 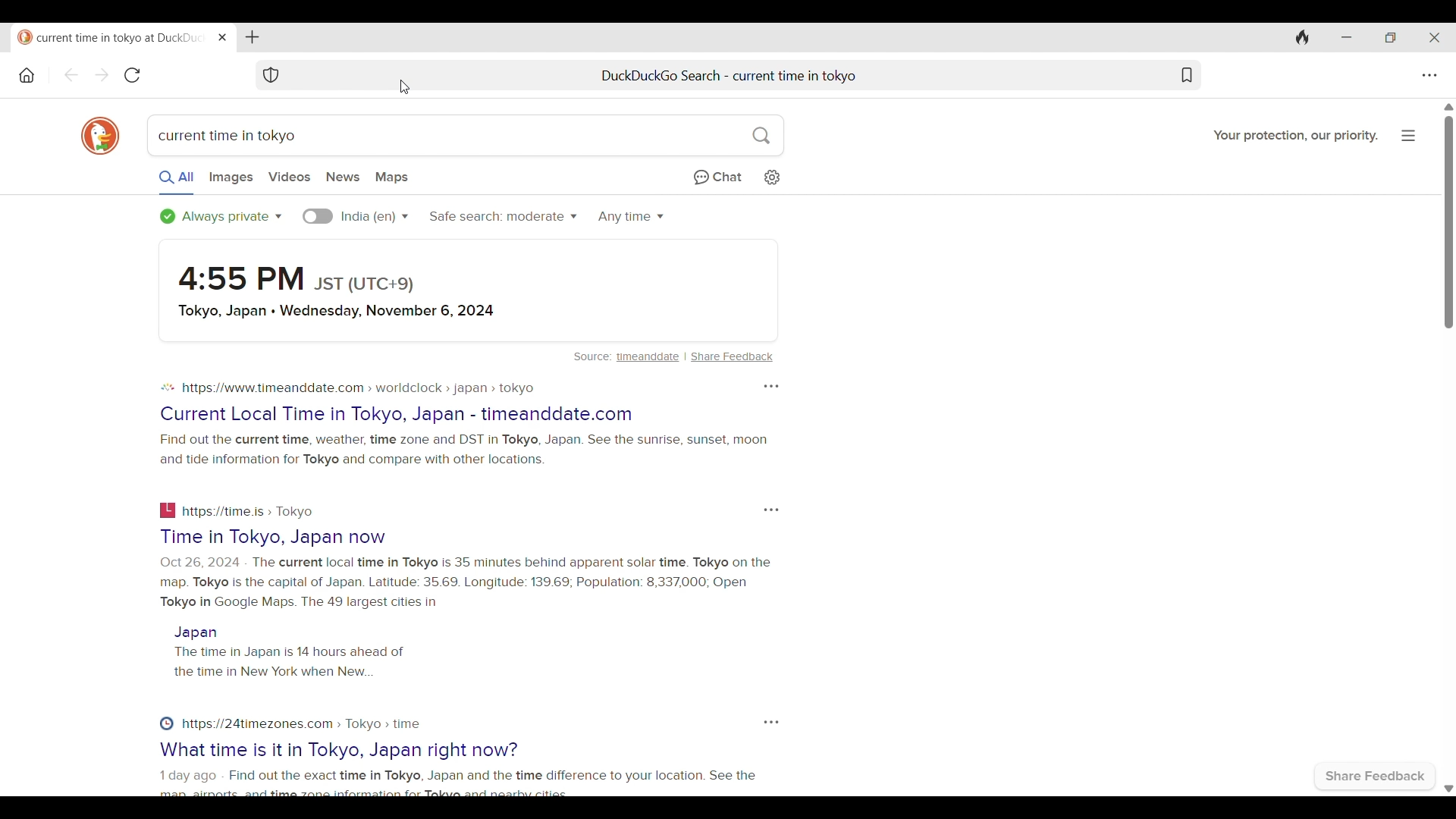 What do you see at coordinates (223, 37) in the screenshot?
I see `Close tab` at bounding box center [223, 37].